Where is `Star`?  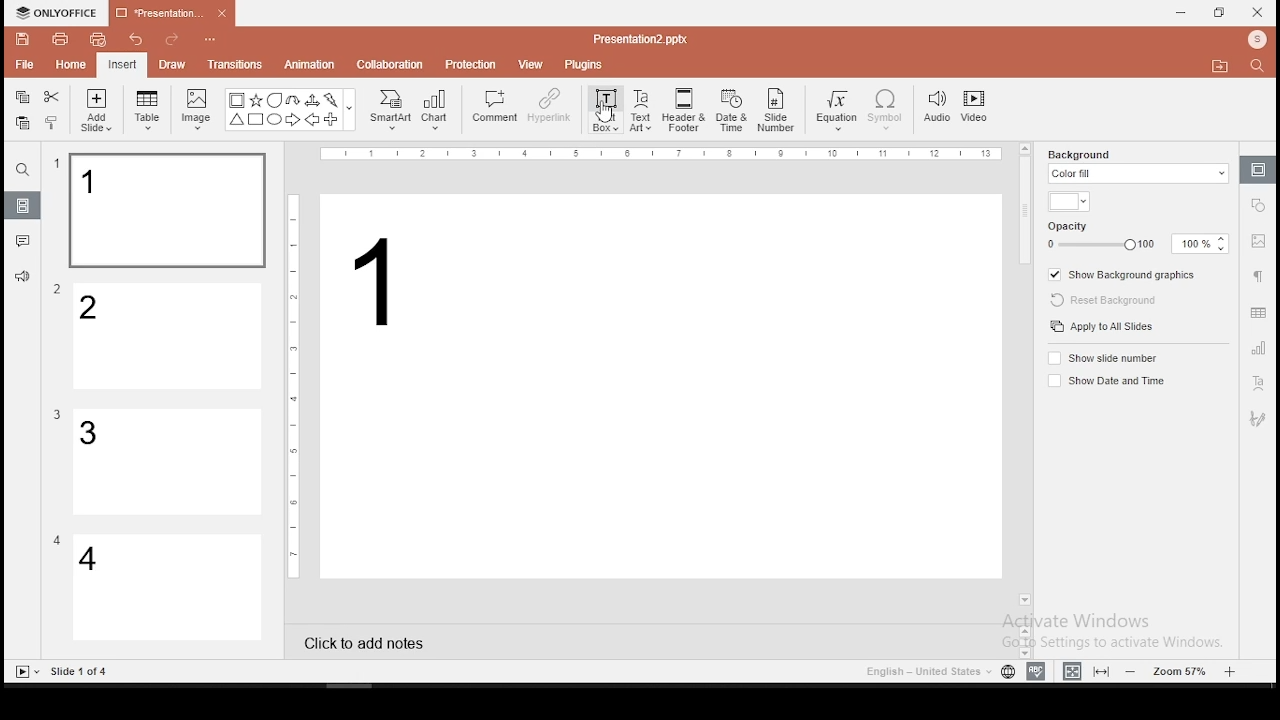
Star is located at coordinates (255, 100).